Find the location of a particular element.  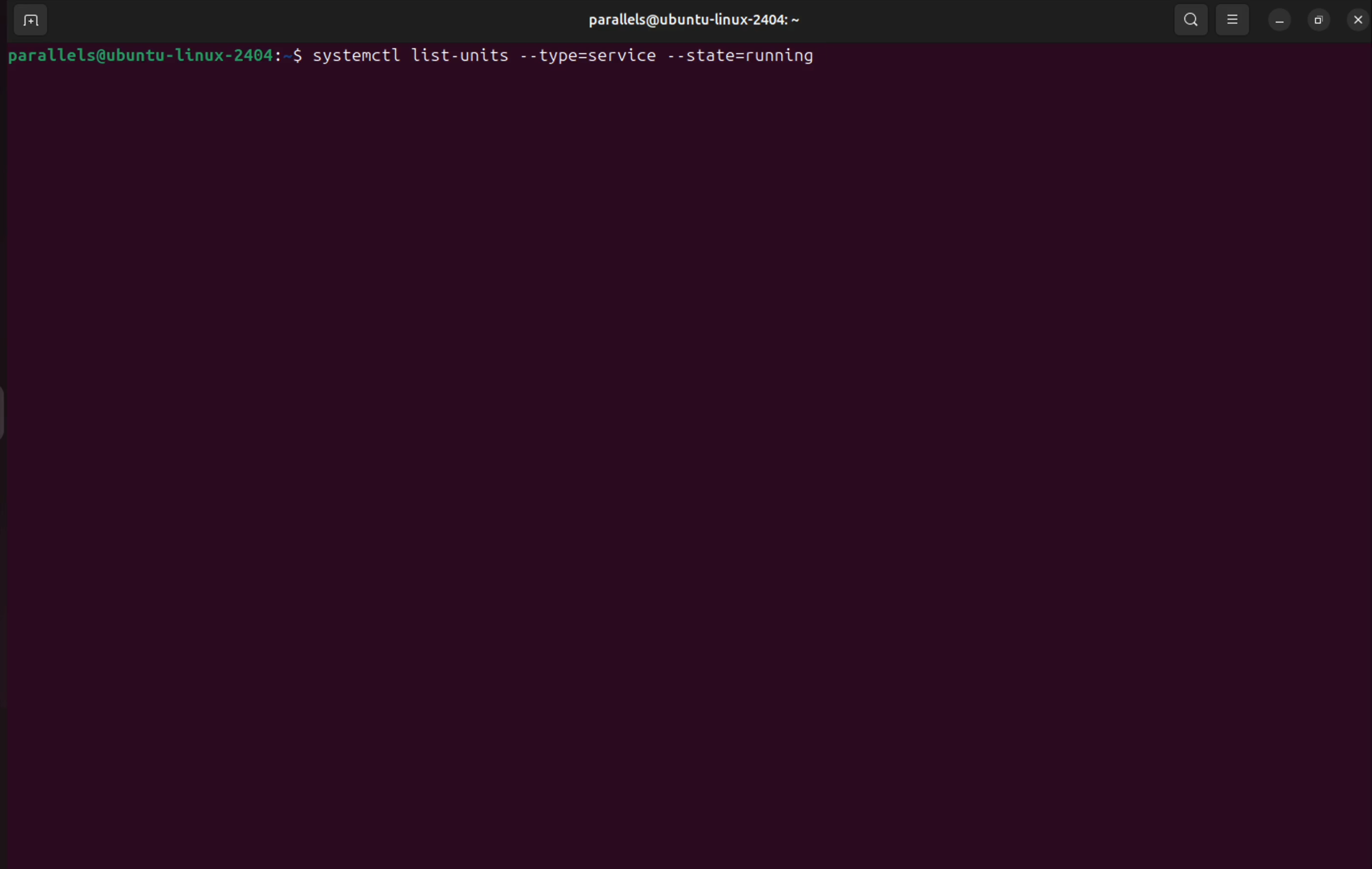

minimize is located at coordinates (1280, 19).